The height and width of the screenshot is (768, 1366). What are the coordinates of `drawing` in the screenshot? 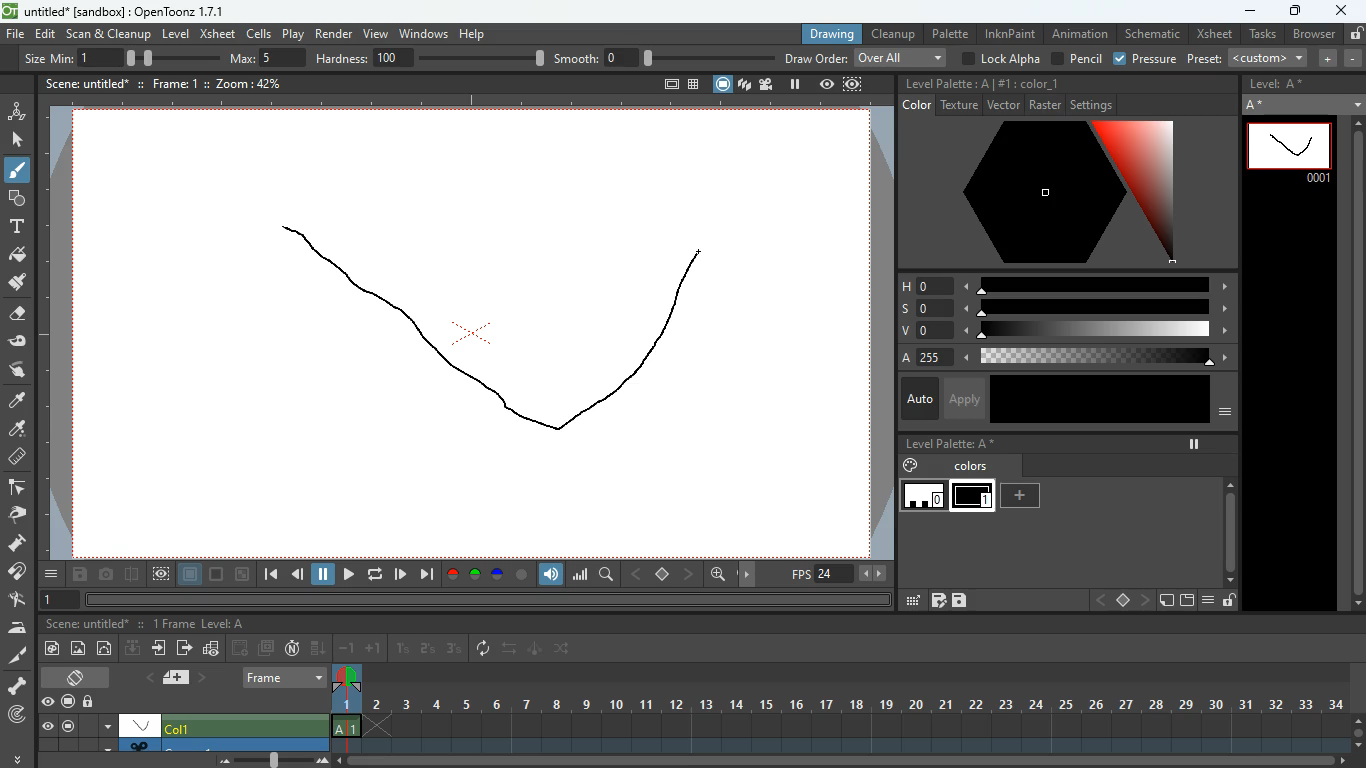 It's located at (826, 34).